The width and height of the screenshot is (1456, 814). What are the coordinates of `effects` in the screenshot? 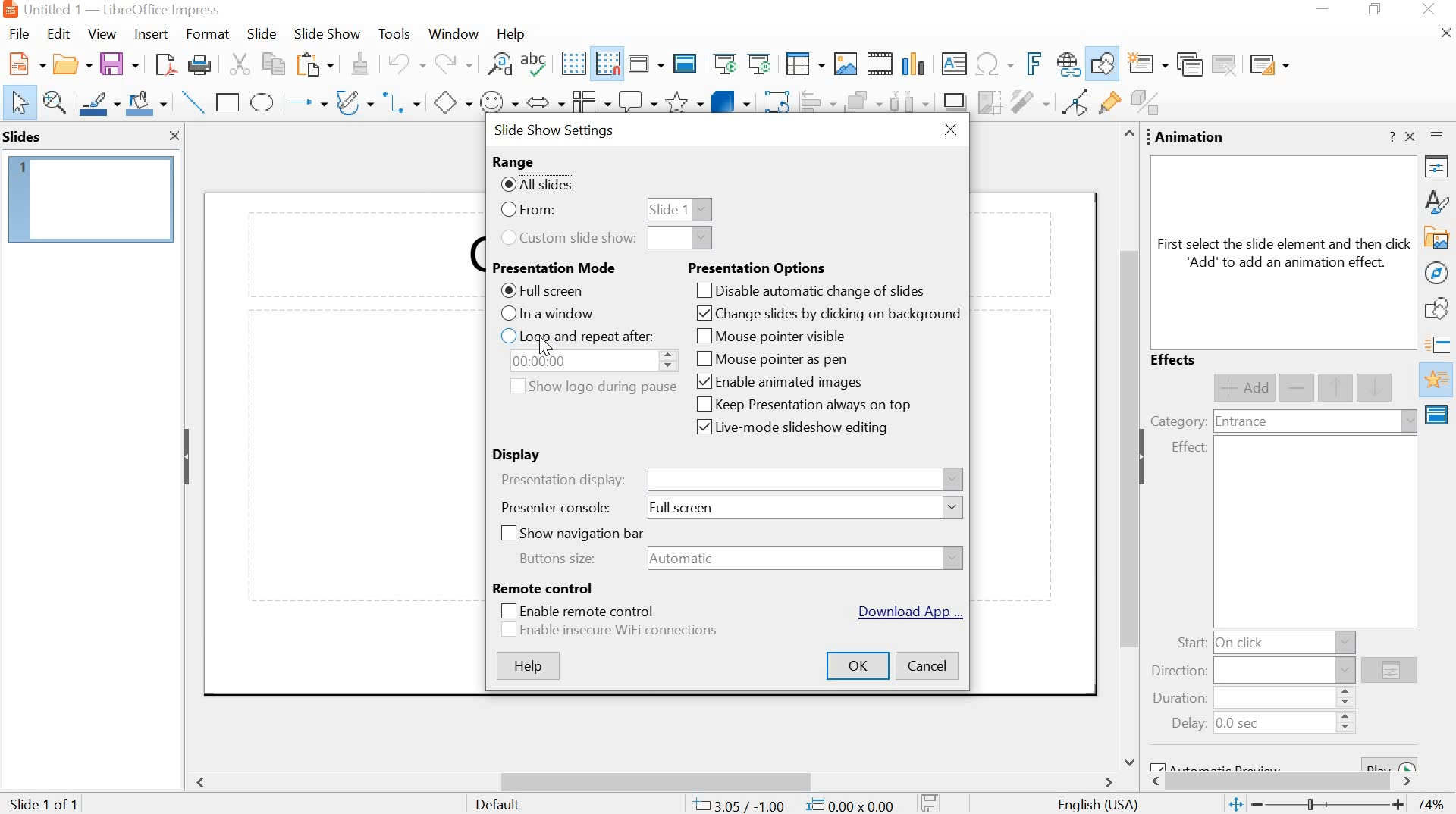 It's located at (1175, 361).